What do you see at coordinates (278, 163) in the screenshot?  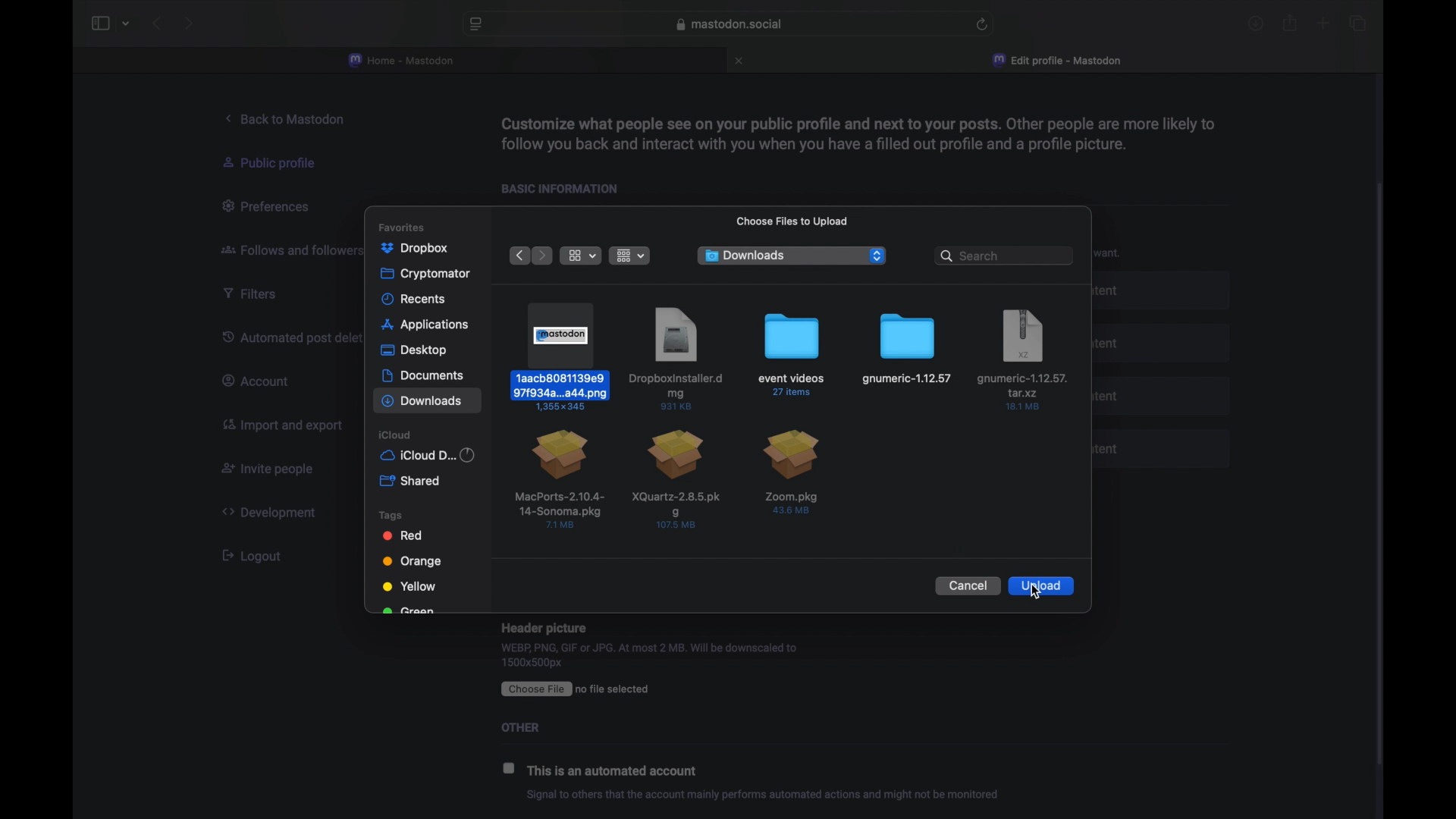 I see `public profile` at bounding box center [278, 163].